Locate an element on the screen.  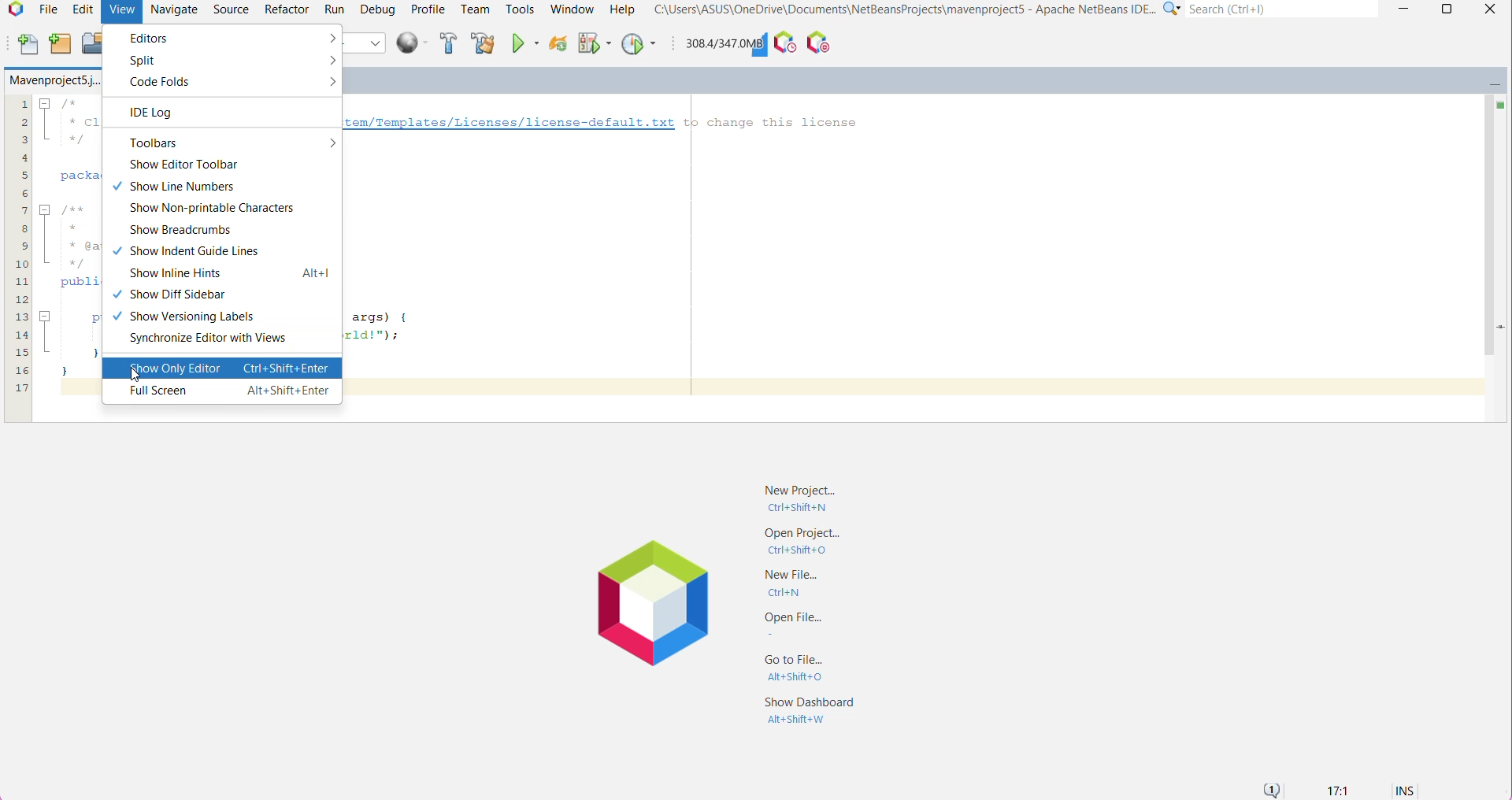
Show Non-printable Characters is located at coordinates (216, 209).